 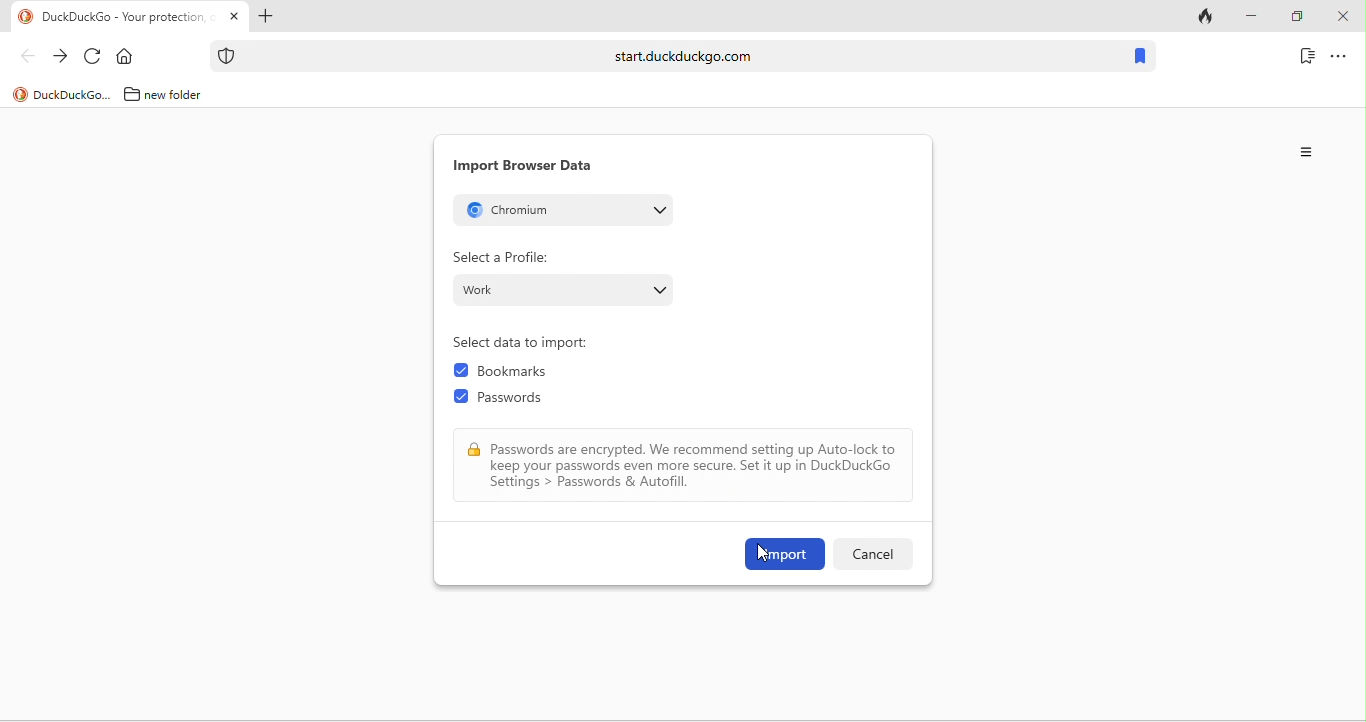 I want to click on select a profile, so click(x=501, y=257).